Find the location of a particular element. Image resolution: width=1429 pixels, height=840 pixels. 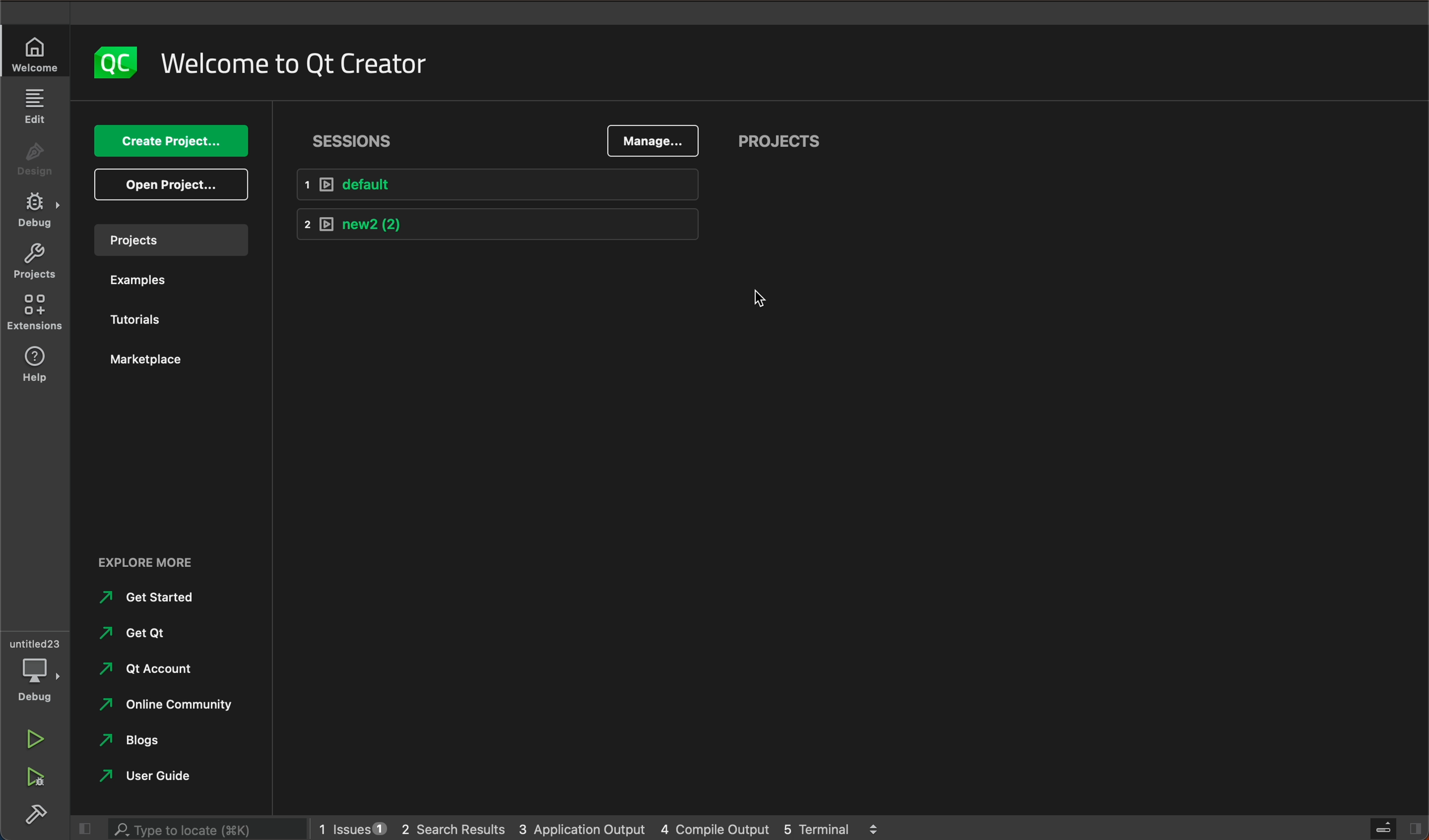

welcome is located at coordinates (36, 54).